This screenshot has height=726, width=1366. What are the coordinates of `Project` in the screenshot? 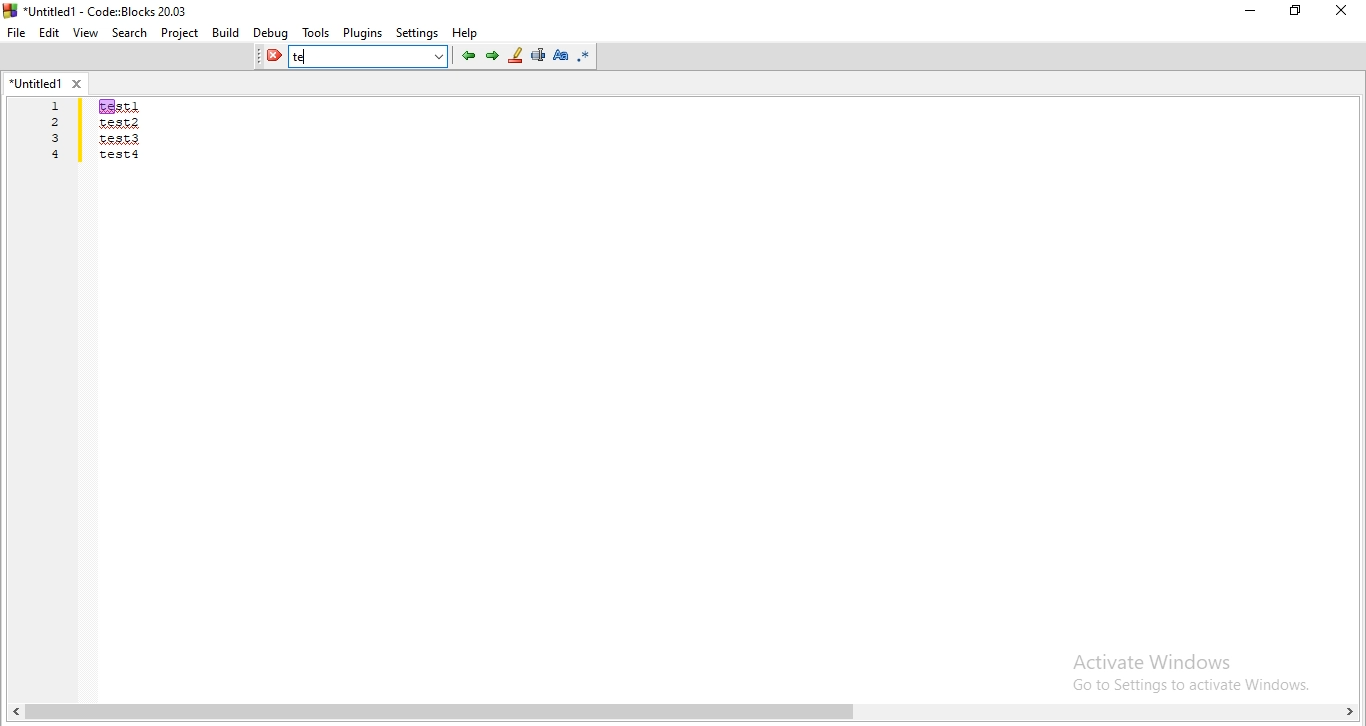 It's located at (180, 33).